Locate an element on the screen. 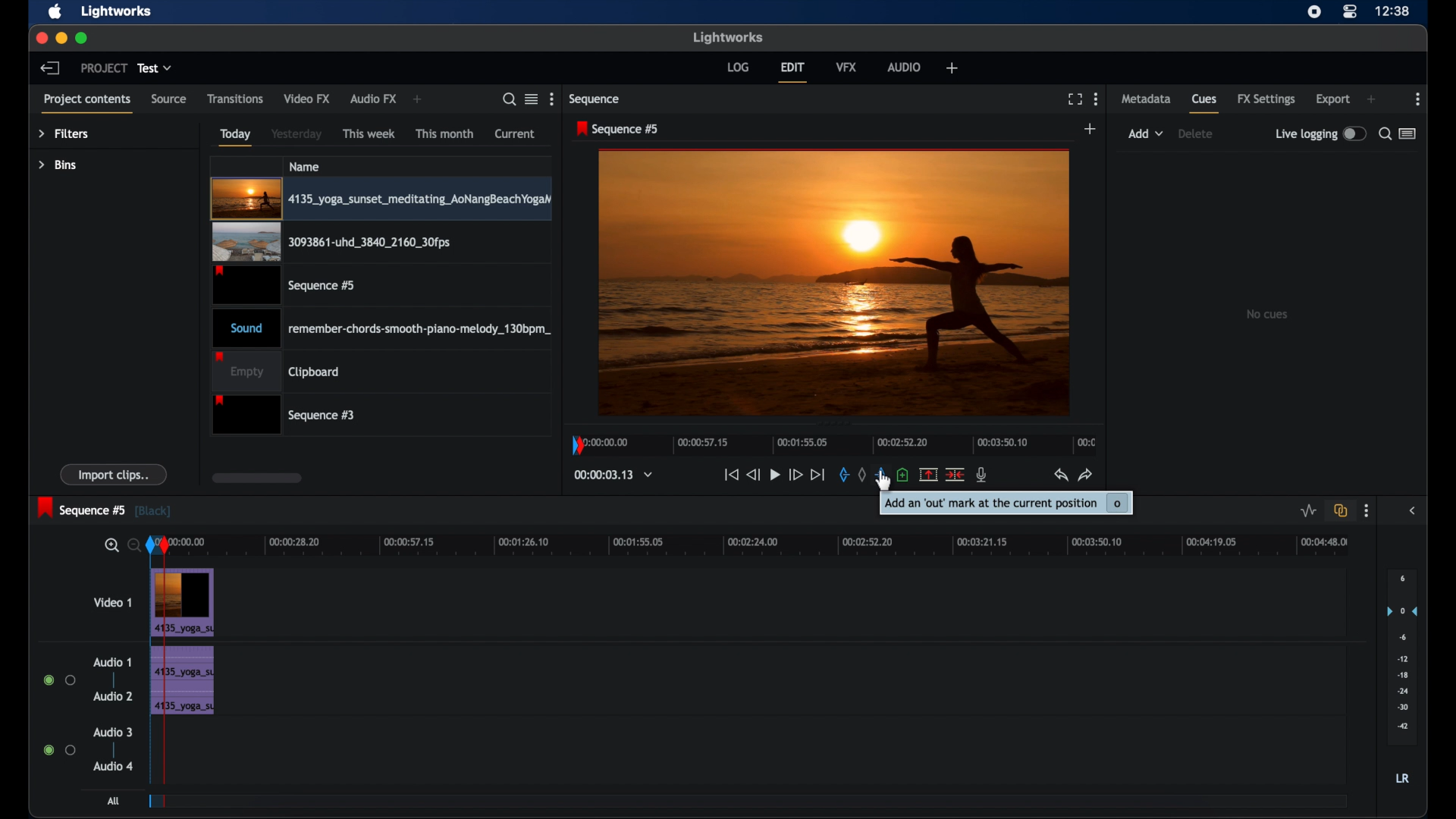 This screenshot has height=819, width=1456. time is located at coordinates (1394, 11).